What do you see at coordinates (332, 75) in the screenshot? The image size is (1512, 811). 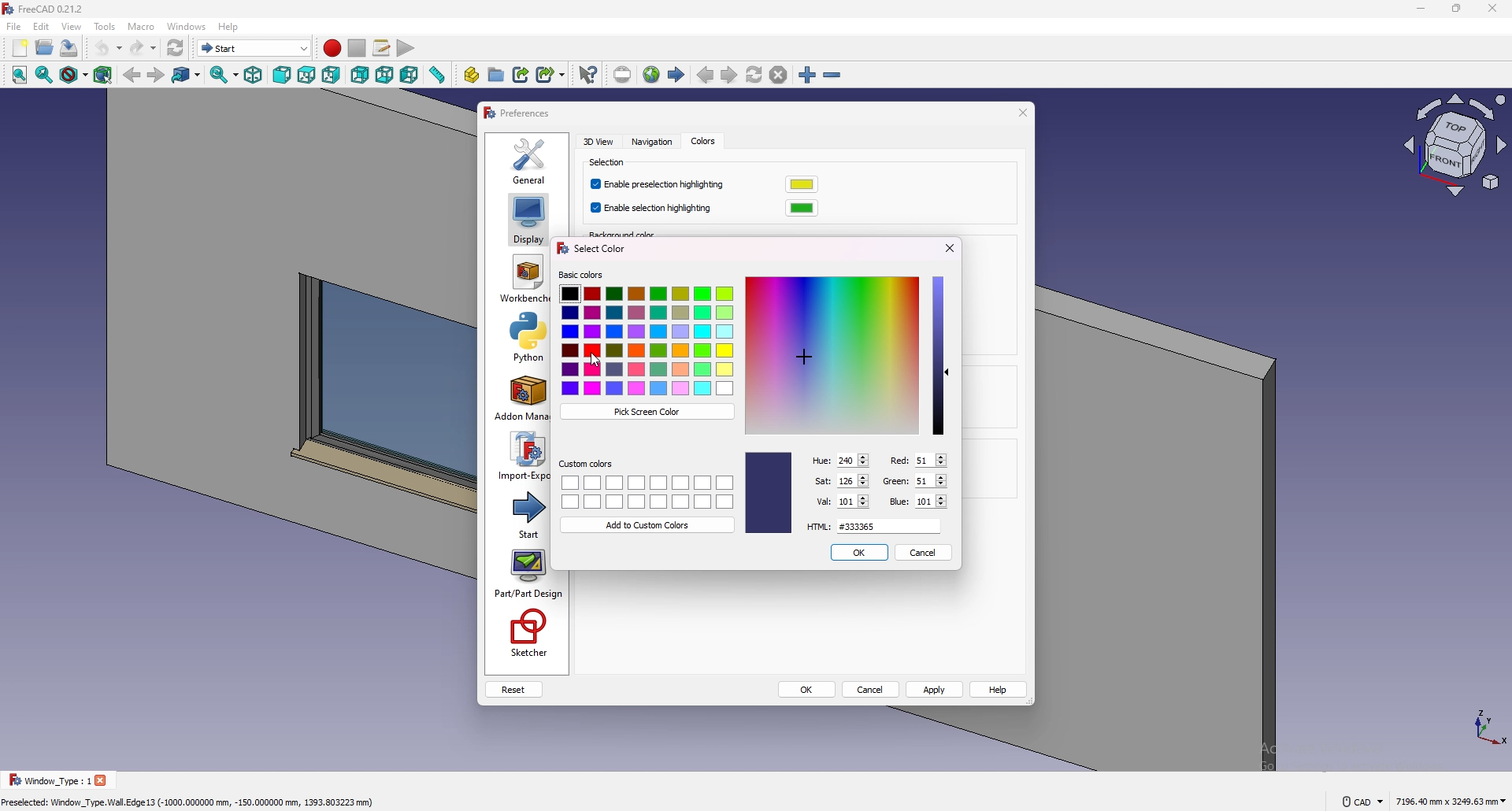 I see `right` at bounding box center [332, 75].